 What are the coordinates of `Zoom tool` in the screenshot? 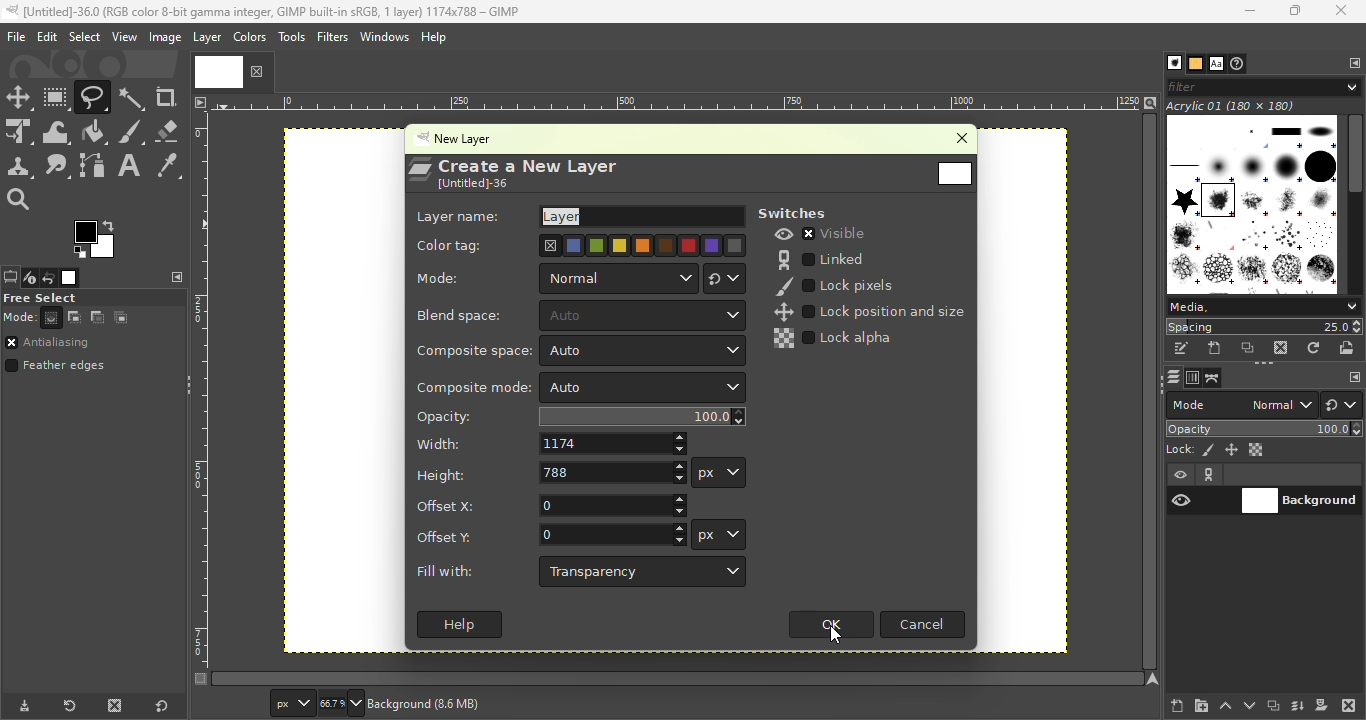 It's located at (24, 200).